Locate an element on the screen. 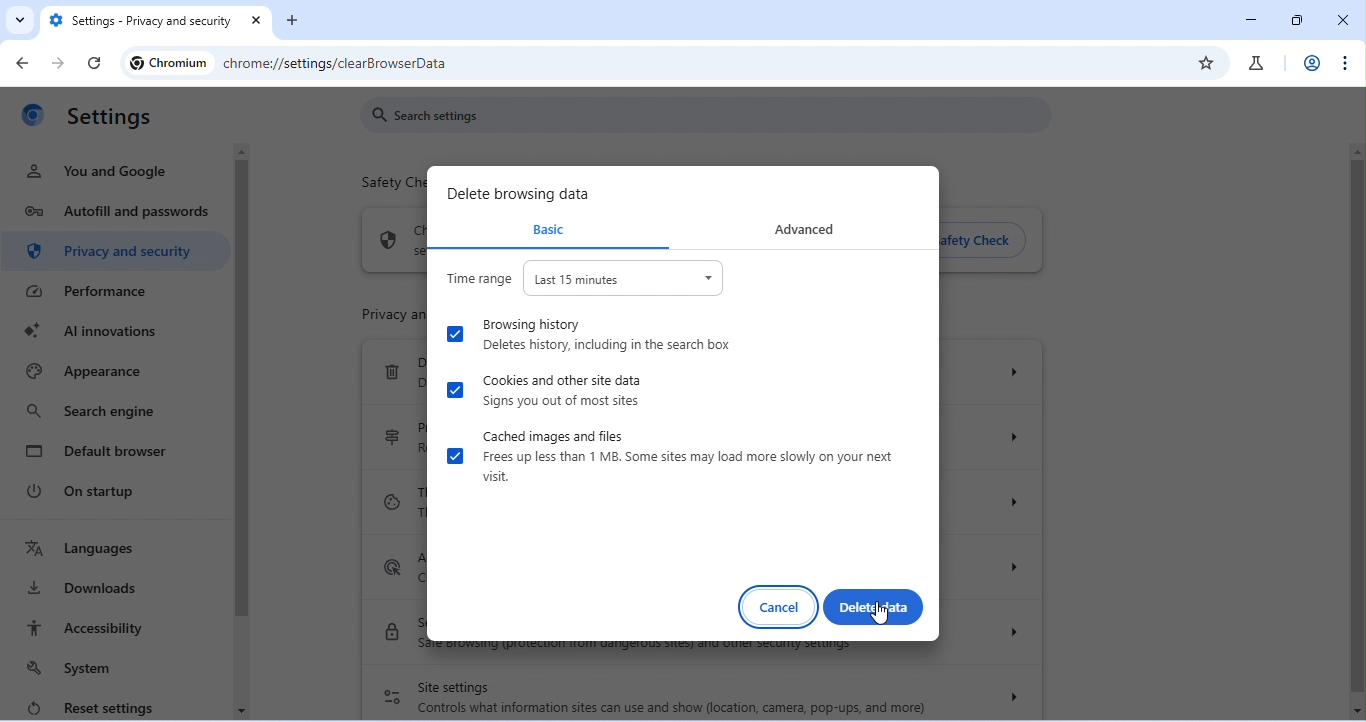 This screenshot has width=1366, height=722. drop down is located at coordinates (1019, 568).